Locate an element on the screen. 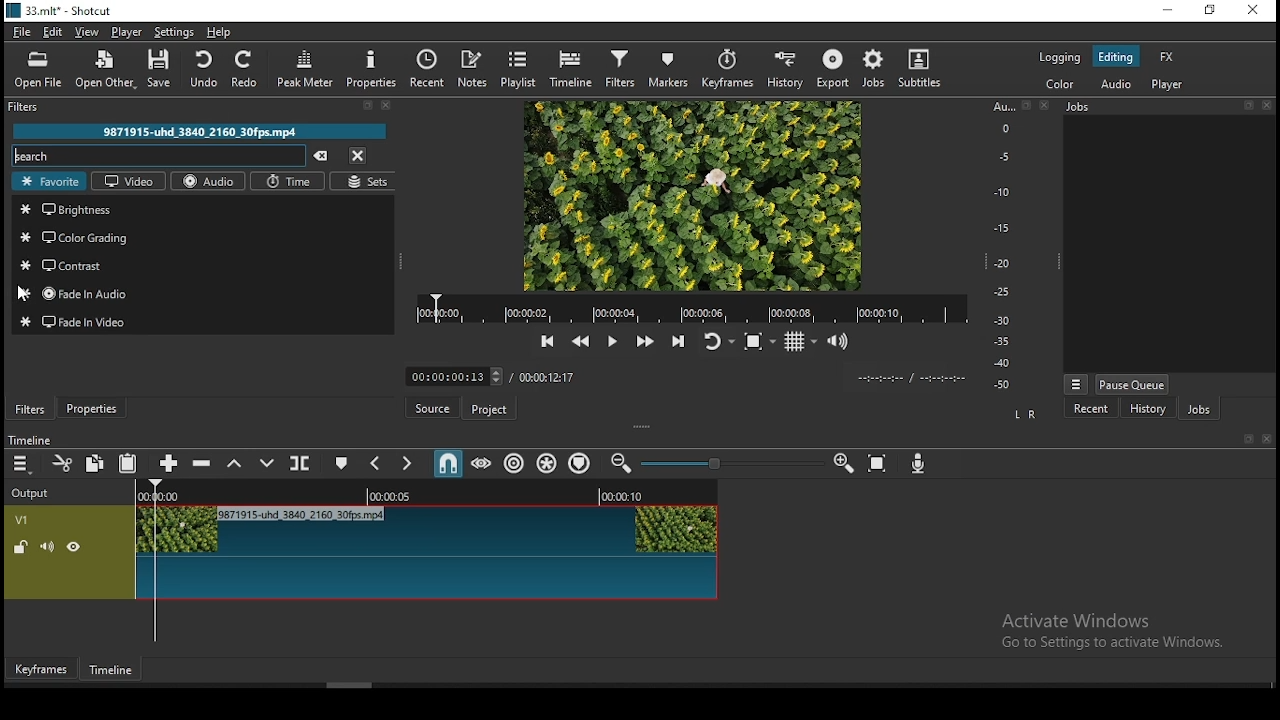  video is located at coordinates (691, 195).